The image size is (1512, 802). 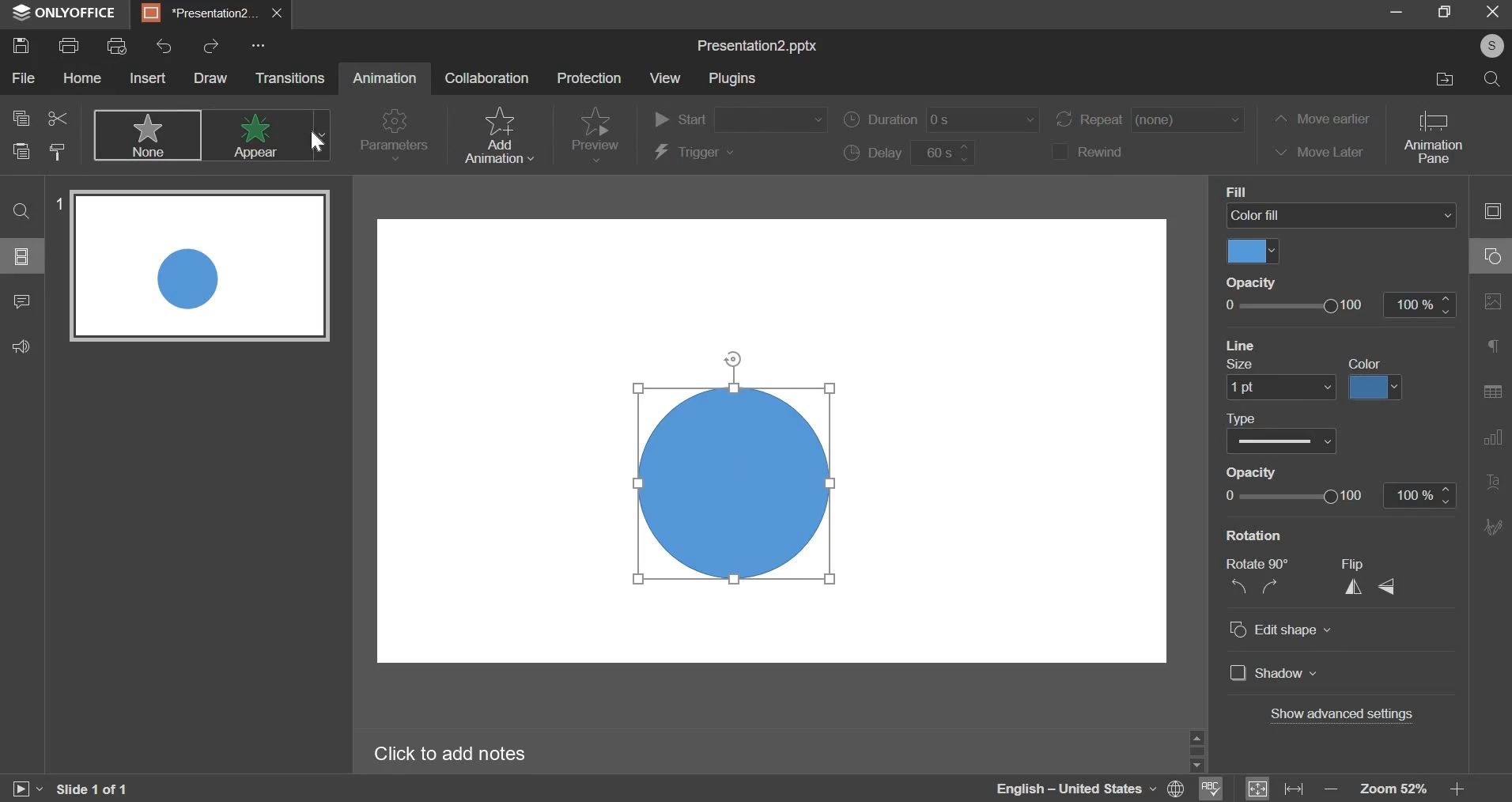 I want to click on slides, so click(x=24, y=256).